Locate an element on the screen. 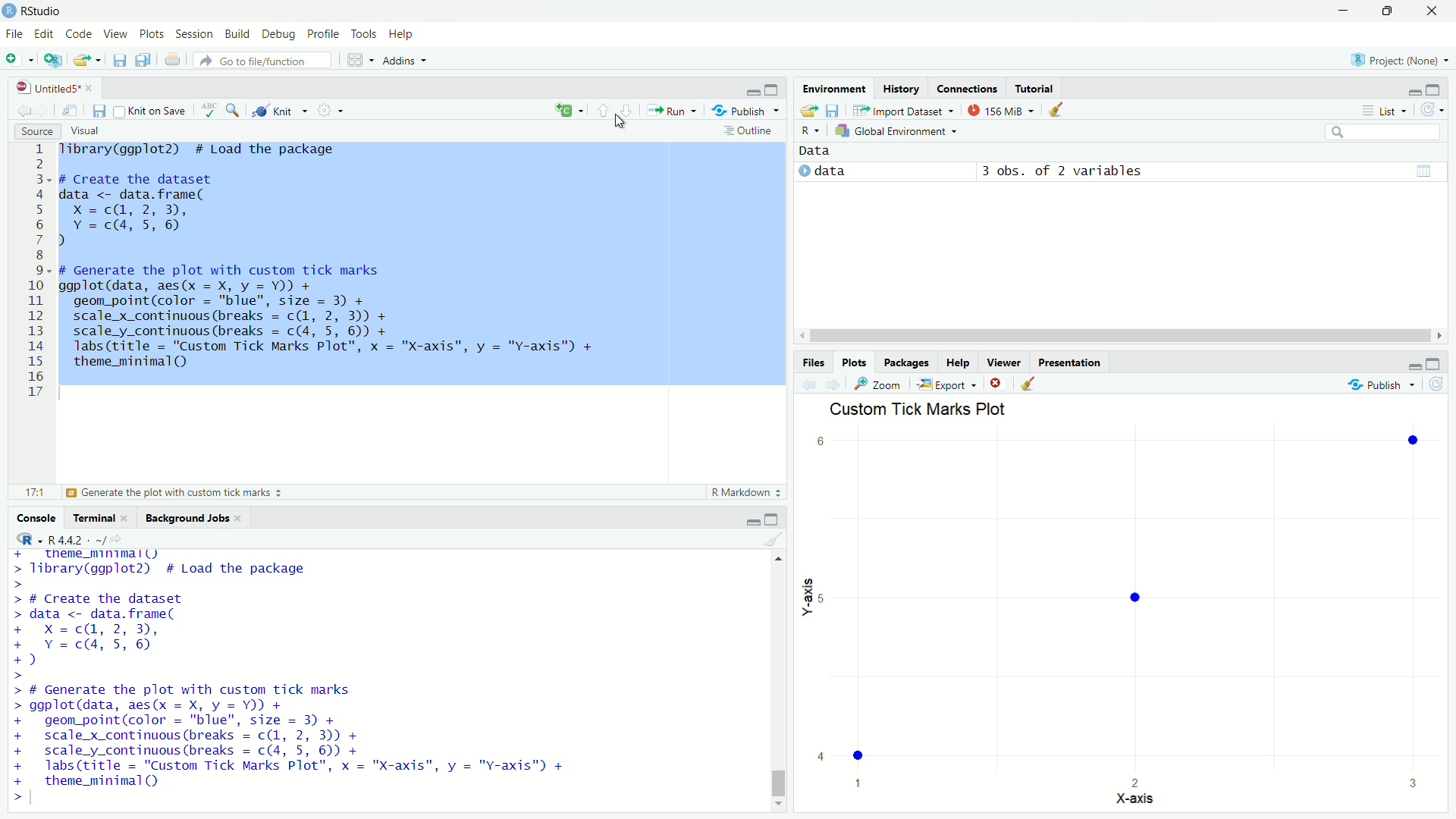 Image resolution: width=1456 pixels, height=819 pixels. export is located at coordinates (949, 385).